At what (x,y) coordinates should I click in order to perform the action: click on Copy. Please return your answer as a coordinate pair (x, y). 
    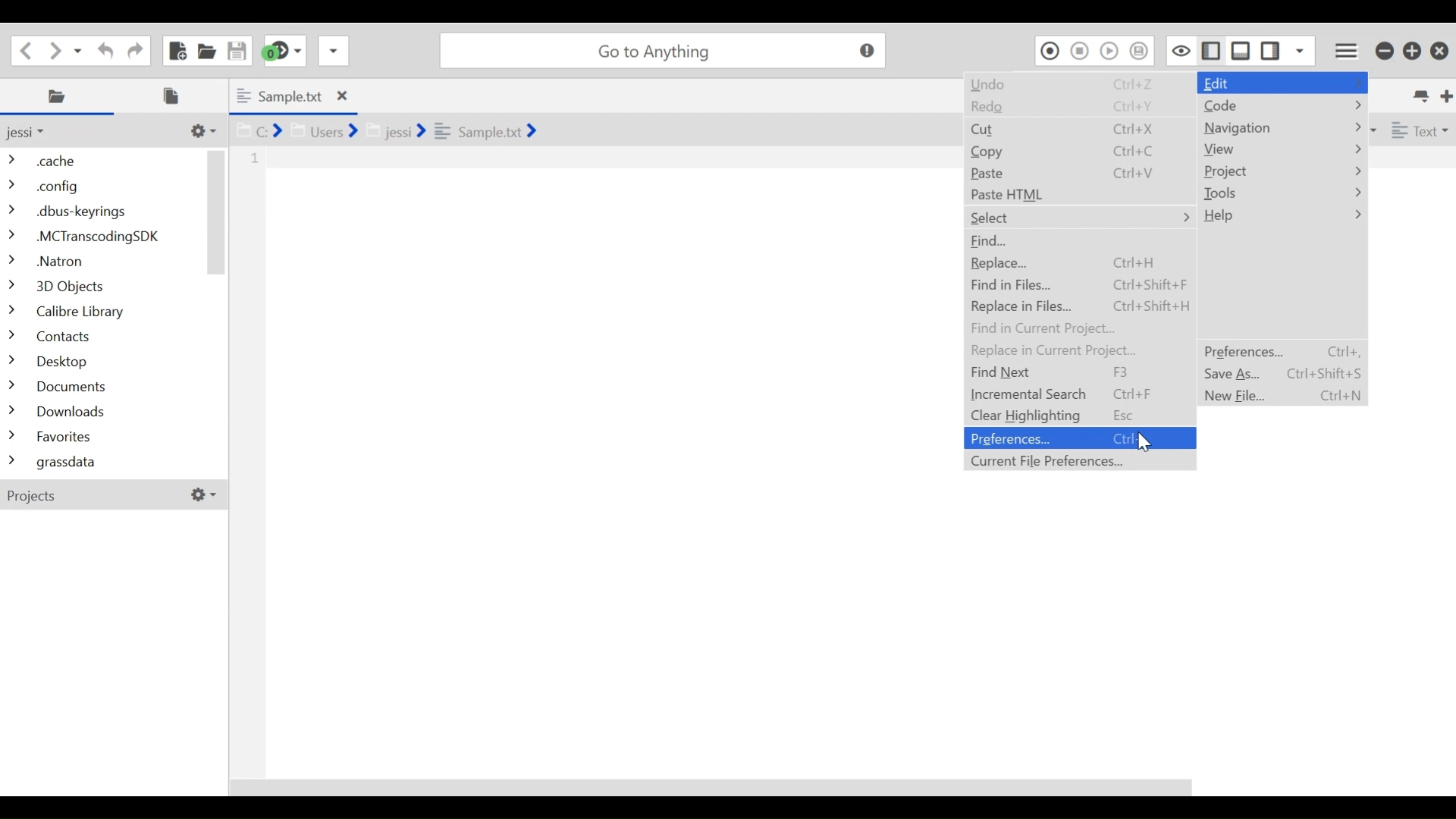
    Looking at the image, I should click on (1077, 150).